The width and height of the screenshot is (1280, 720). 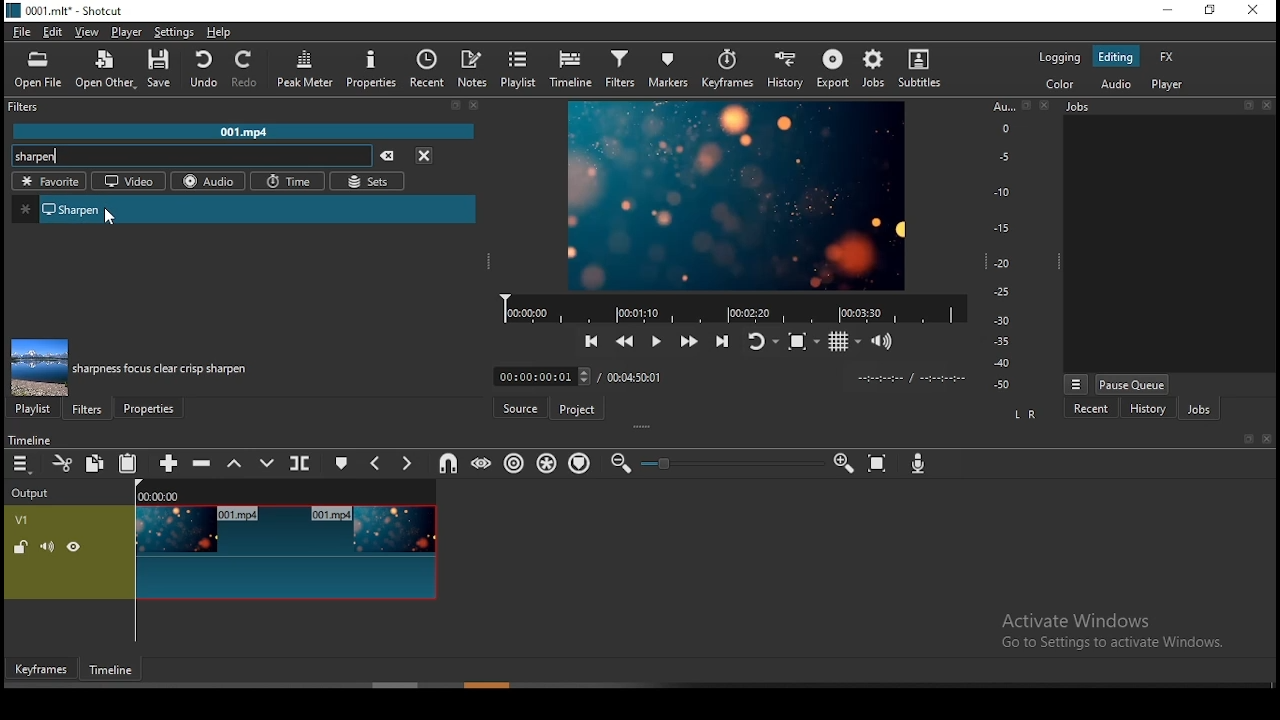 I want to click on time, so click(x=288, y=181).